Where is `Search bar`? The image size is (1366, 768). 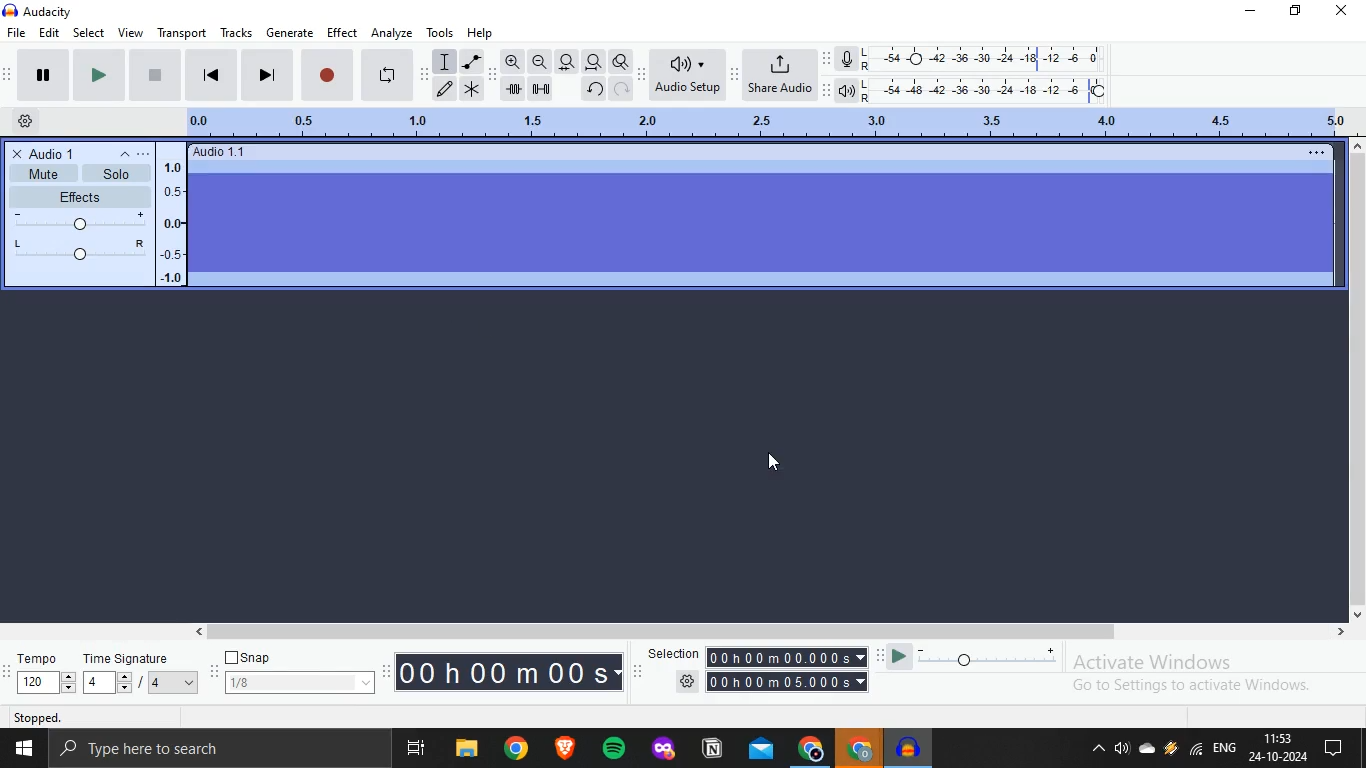
Search bar is located at coordinates (220, 749).